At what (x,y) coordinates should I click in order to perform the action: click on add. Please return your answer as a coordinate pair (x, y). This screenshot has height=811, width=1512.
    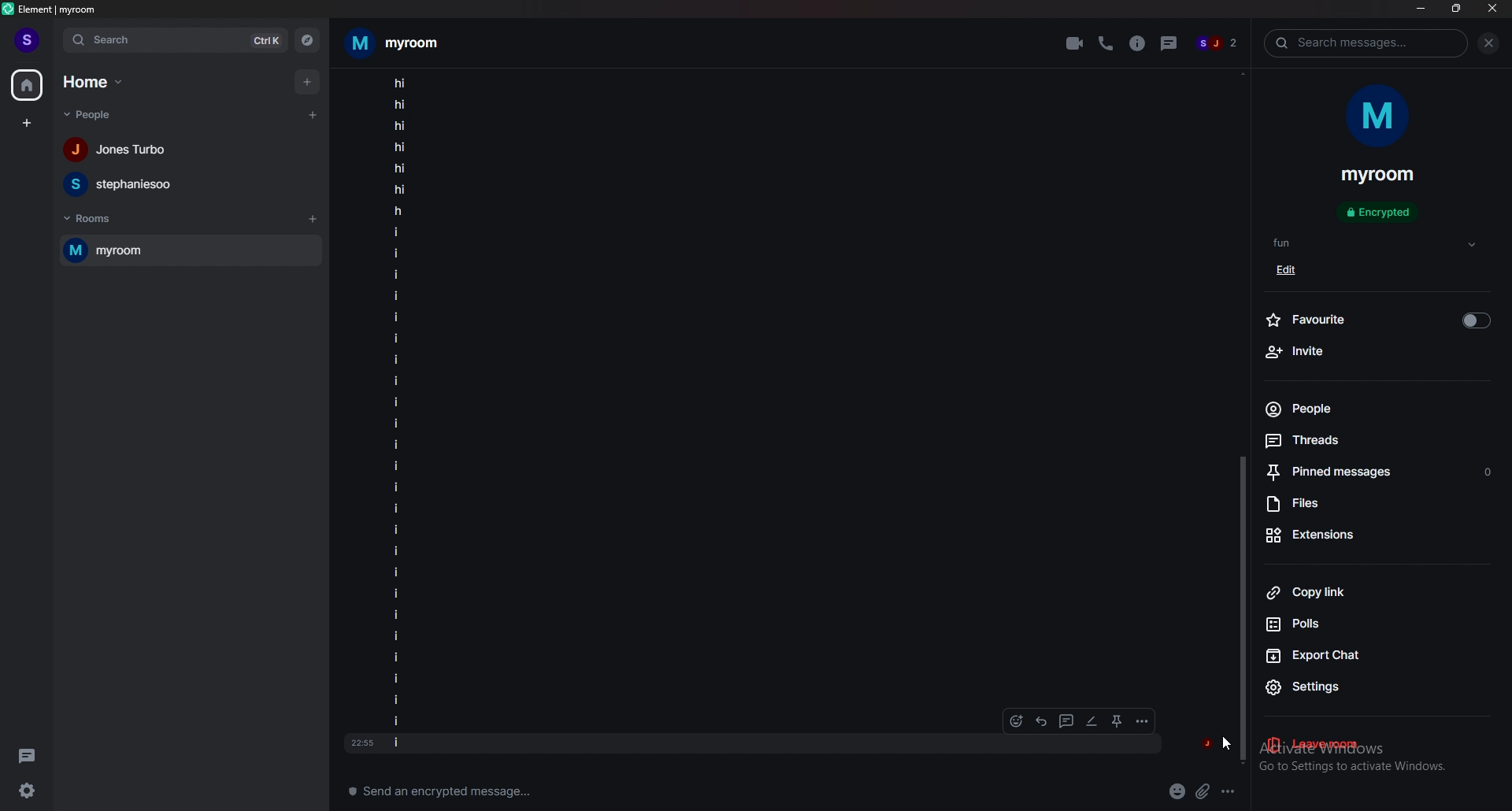
    Looking at the image, I should click on (306, 81).